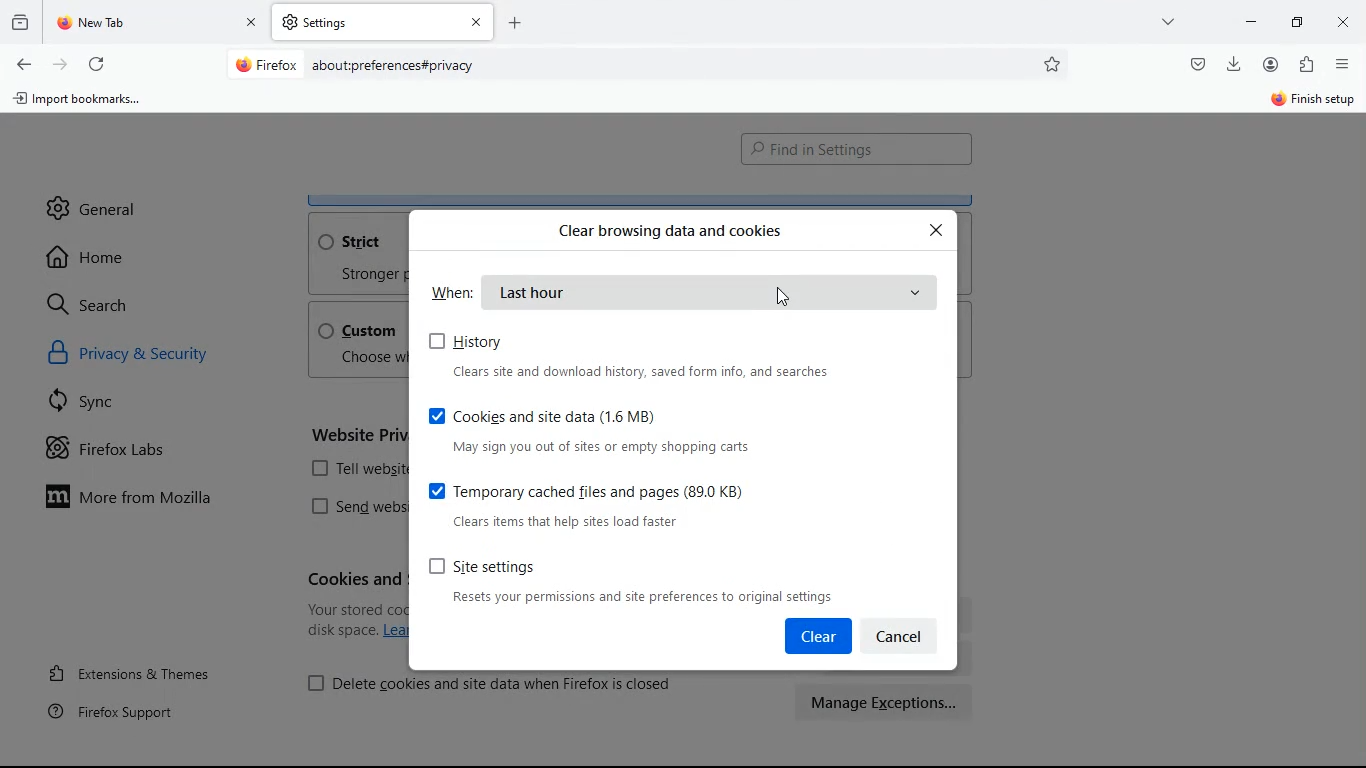 The height and width of the screenshot is (768, 1366). What do you see at coordinates (147, 670) in the screenshot?
I see `extensions & themes` at bounding box center [147, 670].